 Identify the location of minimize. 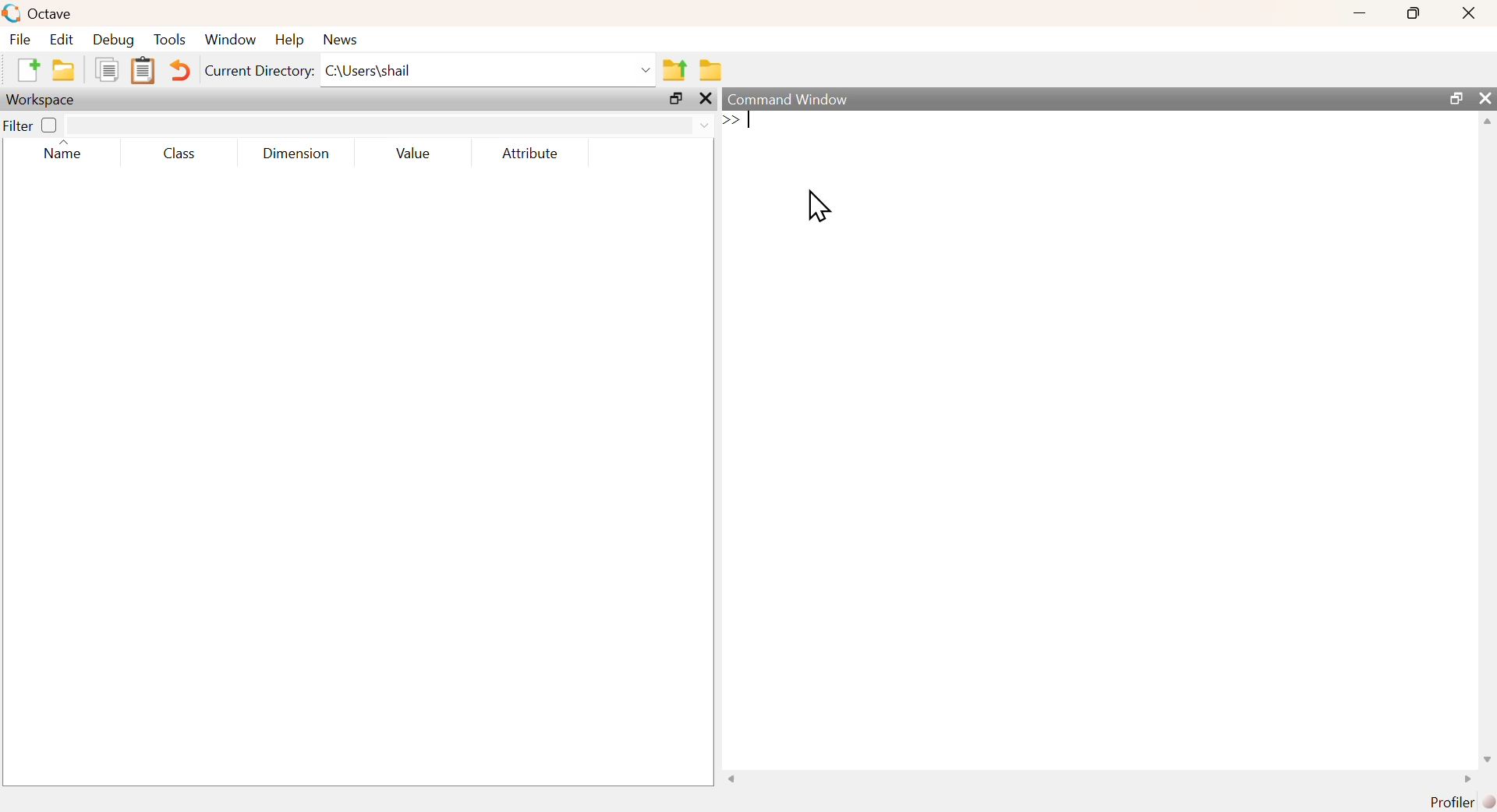
(1362, 13).